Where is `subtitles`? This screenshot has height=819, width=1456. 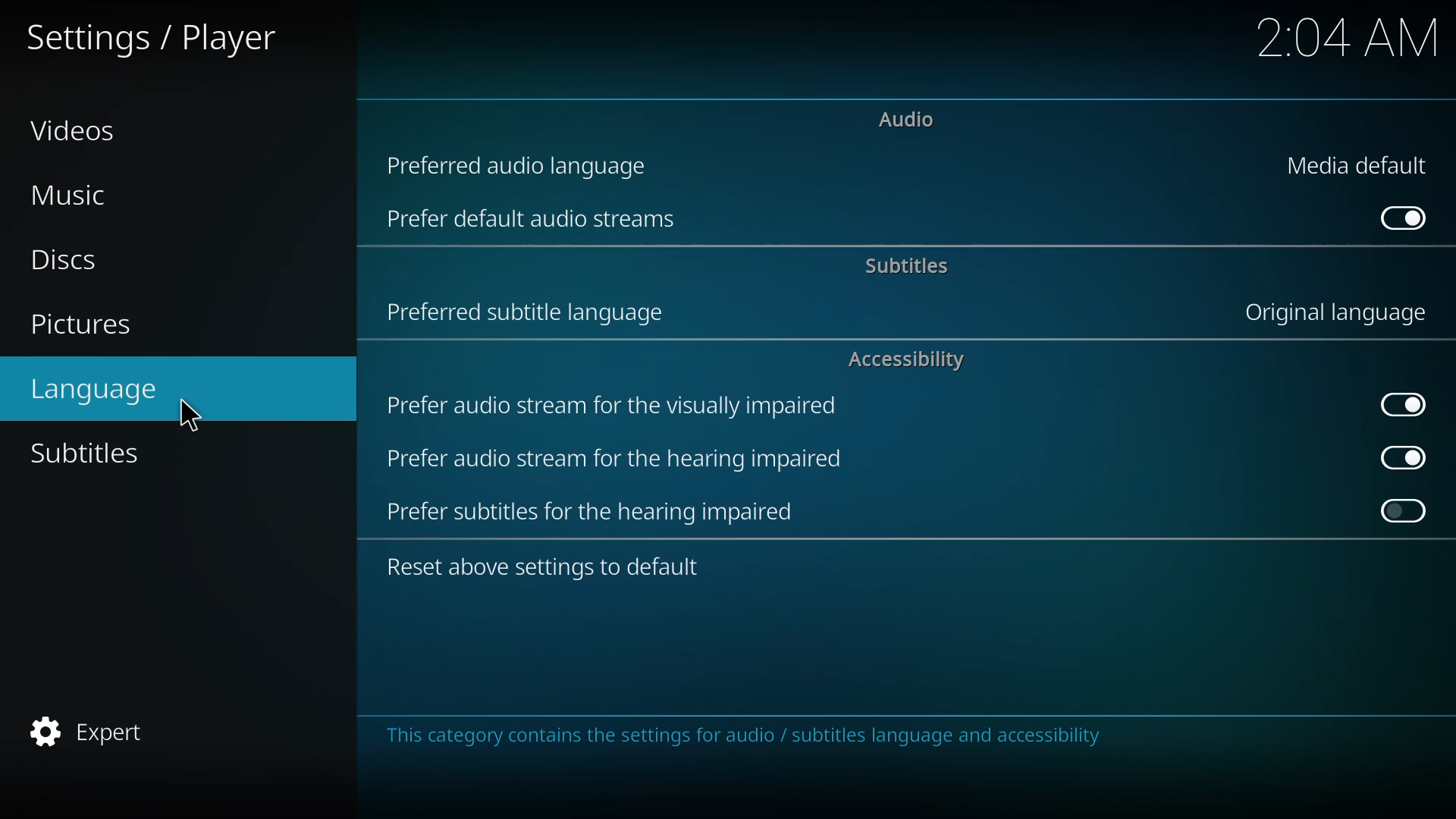 subtitles is located at coordinates (911, 263).